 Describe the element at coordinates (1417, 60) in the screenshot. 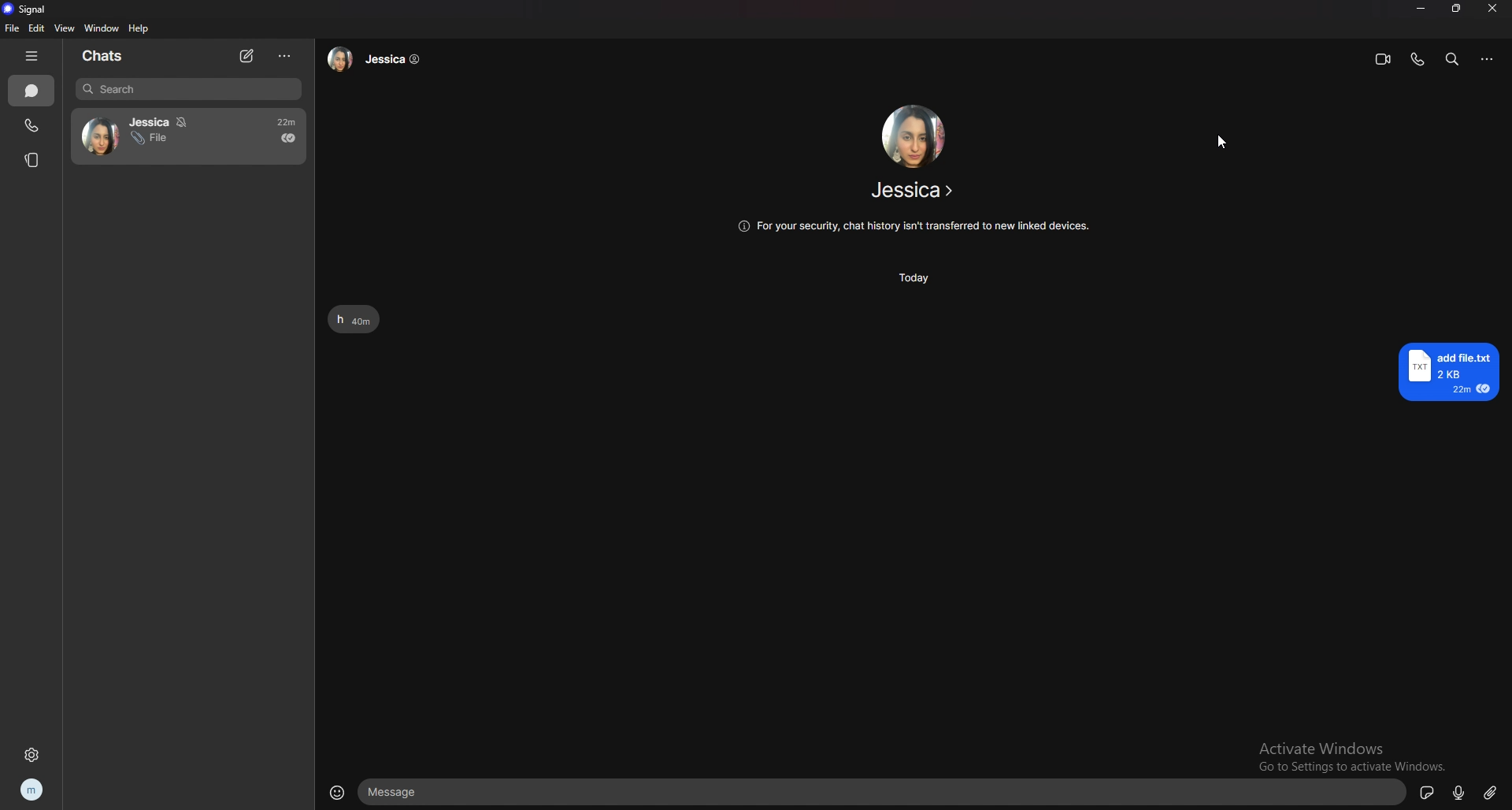

I see `voice call` at that location.